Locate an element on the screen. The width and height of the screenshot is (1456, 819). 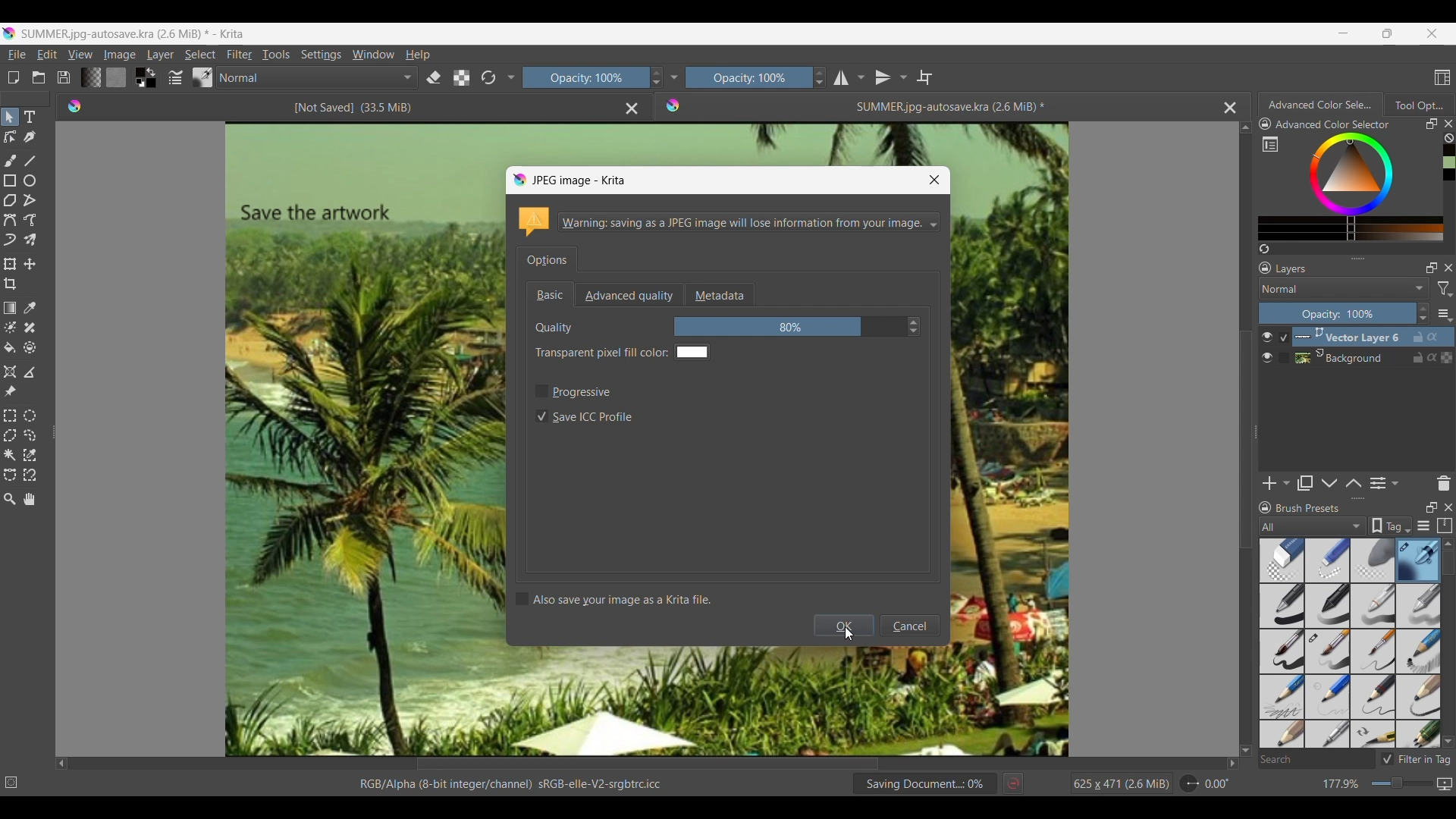
Close tab is located at coordinates (1448, 124).